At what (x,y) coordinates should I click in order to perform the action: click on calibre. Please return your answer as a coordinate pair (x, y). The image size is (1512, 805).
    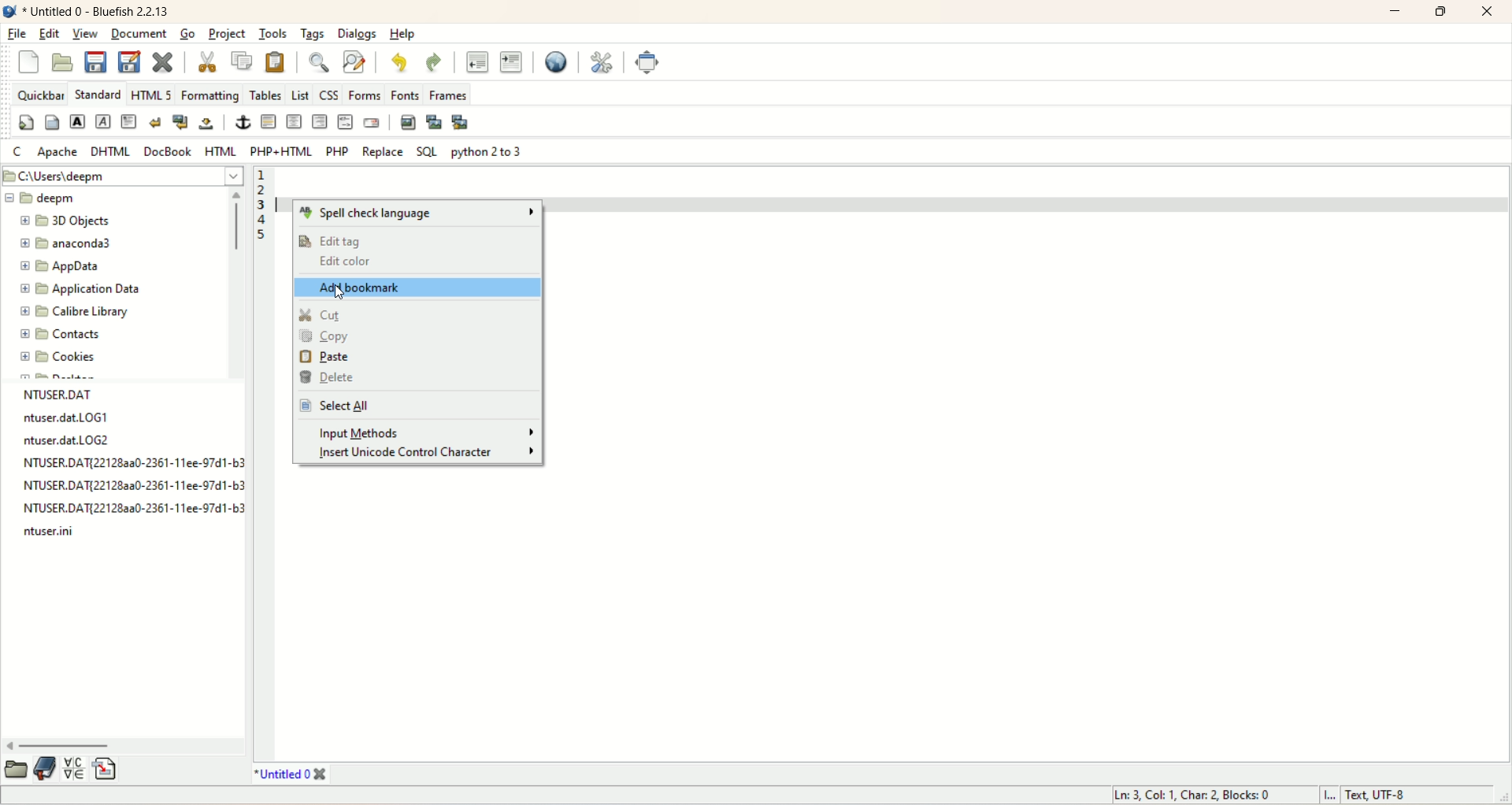
    Looking at the image, I should click on (71, 313).